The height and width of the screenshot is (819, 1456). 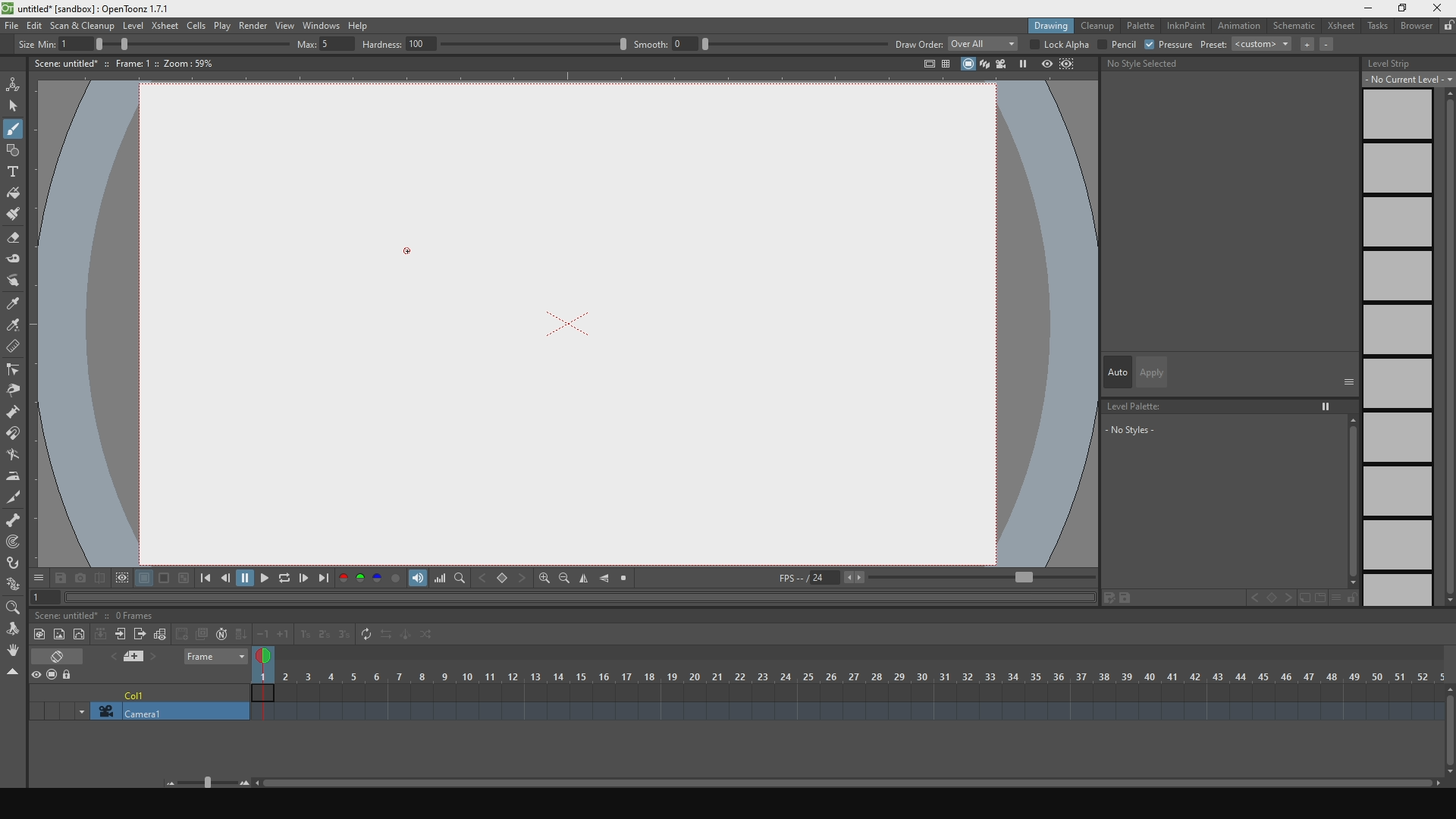 What do you see at coordinates (268, 579) in the screenshot?
I see `play` at bounding box center [268, 579].